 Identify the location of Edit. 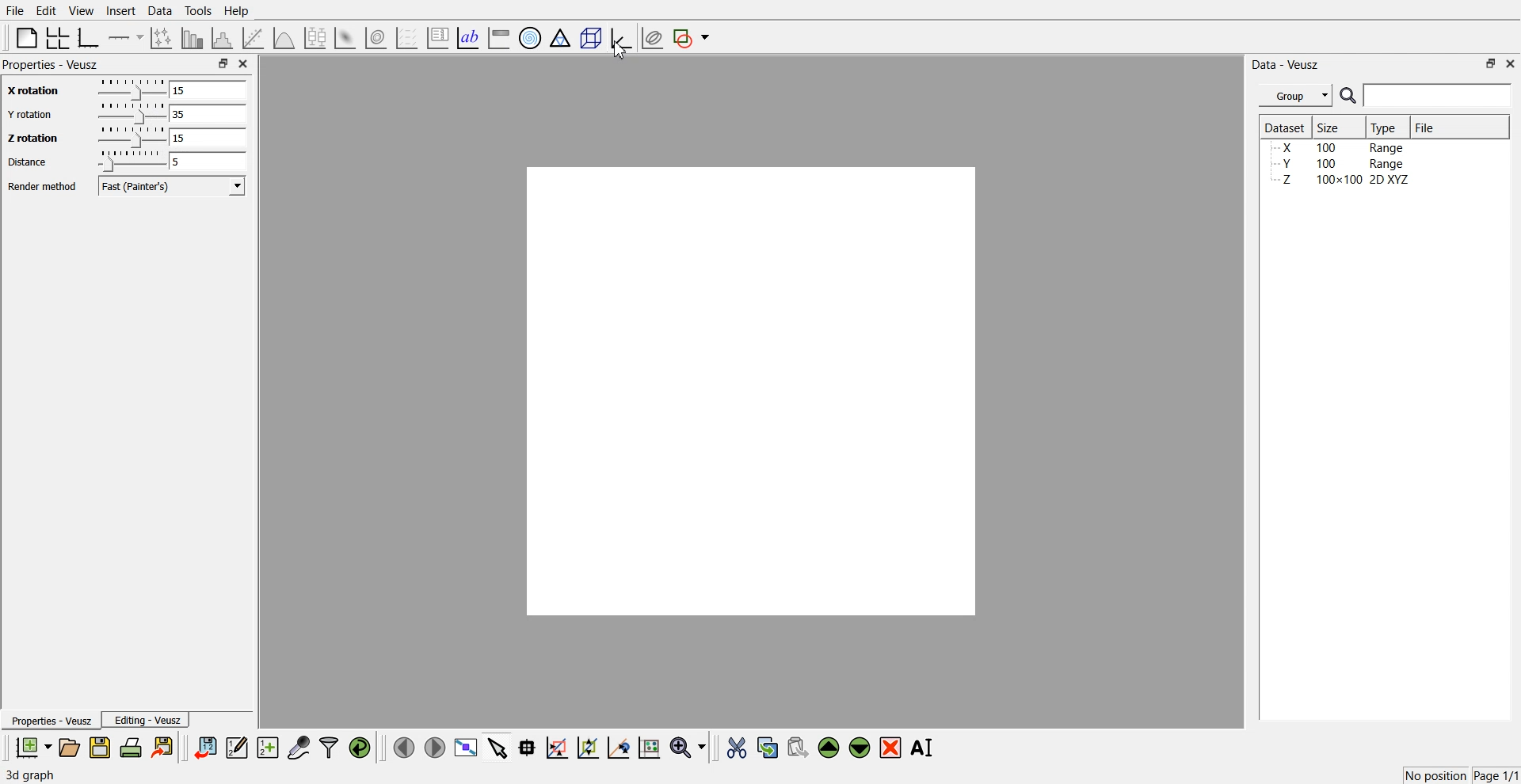
(45, 11).